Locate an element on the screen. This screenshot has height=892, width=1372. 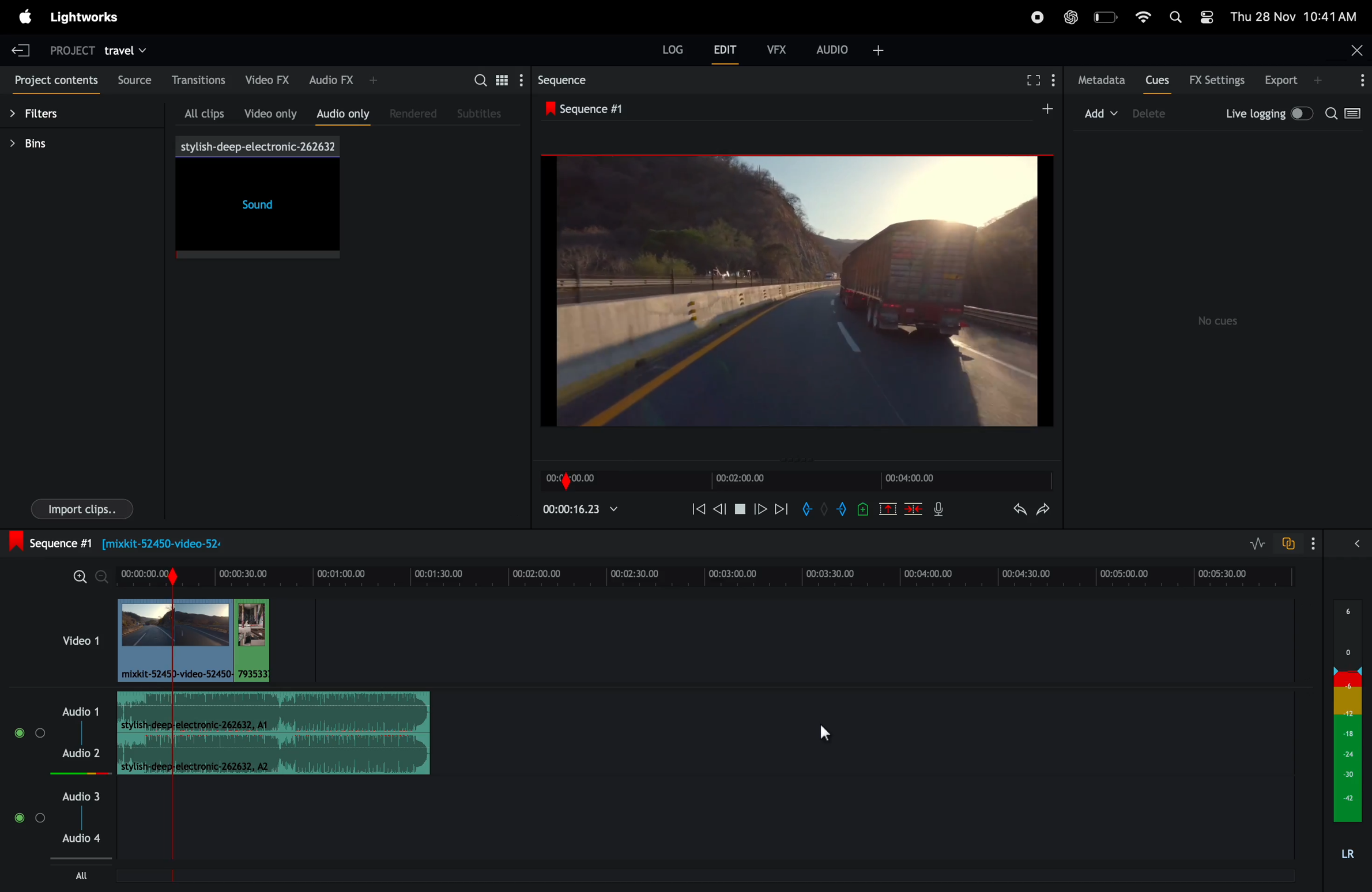
frame time is located at coordinates (922, 480).